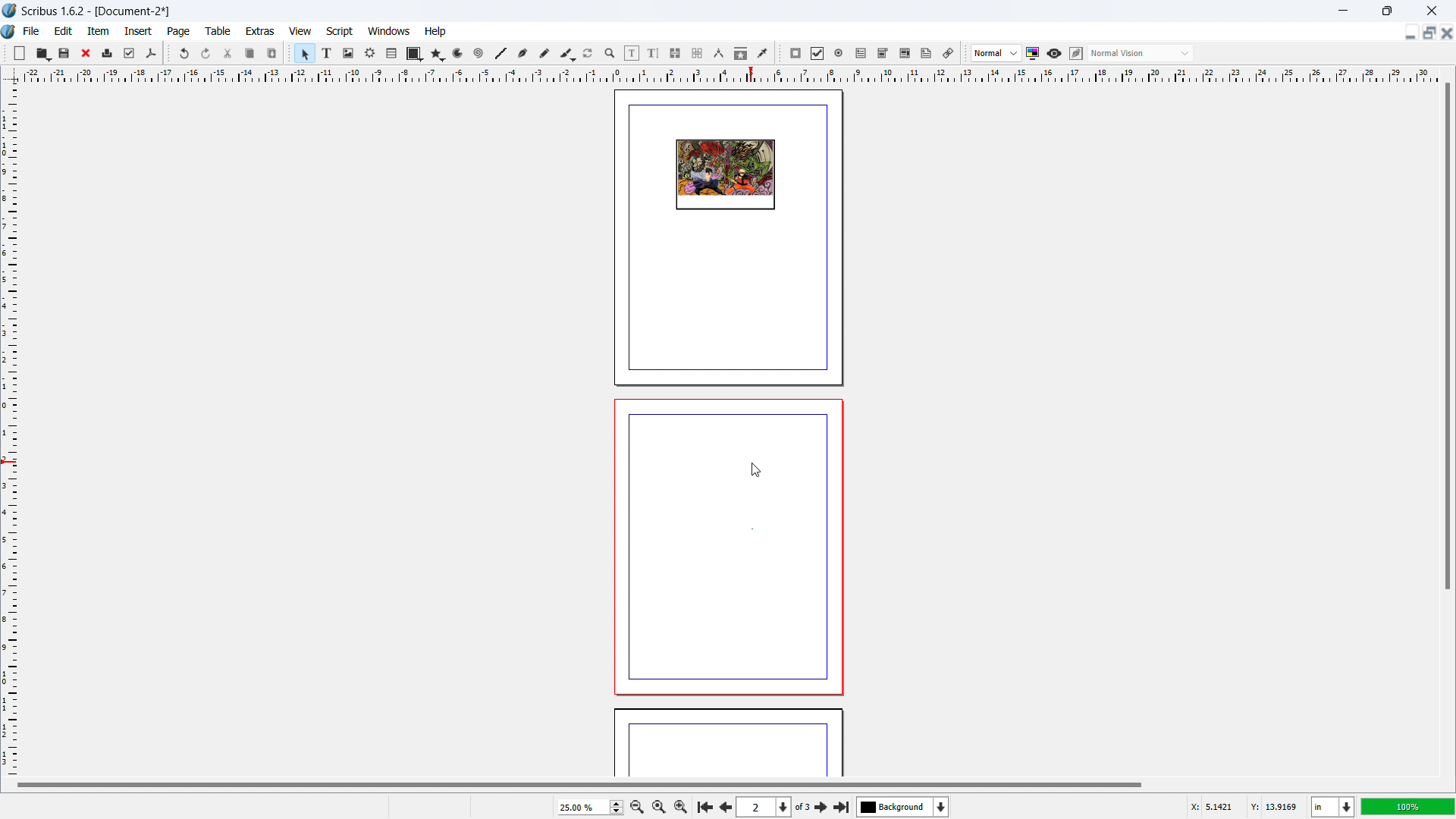 The height and width of the screenshot is (819, 1456). I want to click on link text frames, so click(676, 54).